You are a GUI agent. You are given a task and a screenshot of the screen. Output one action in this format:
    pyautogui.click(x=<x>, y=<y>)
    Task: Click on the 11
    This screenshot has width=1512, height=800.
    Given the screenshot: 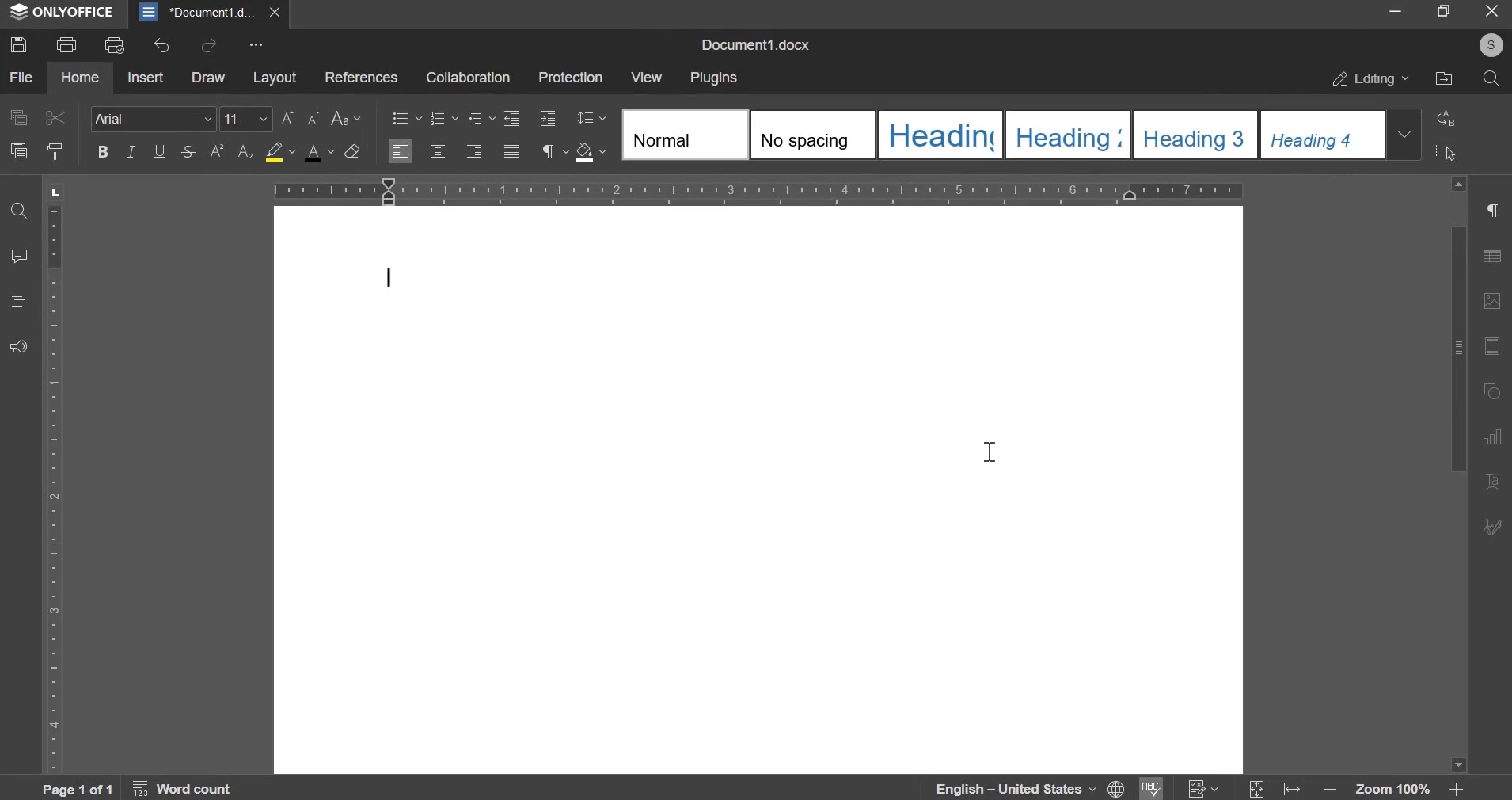 What is the action you would take?
    pyautogui.click(x=248, y=120)
    